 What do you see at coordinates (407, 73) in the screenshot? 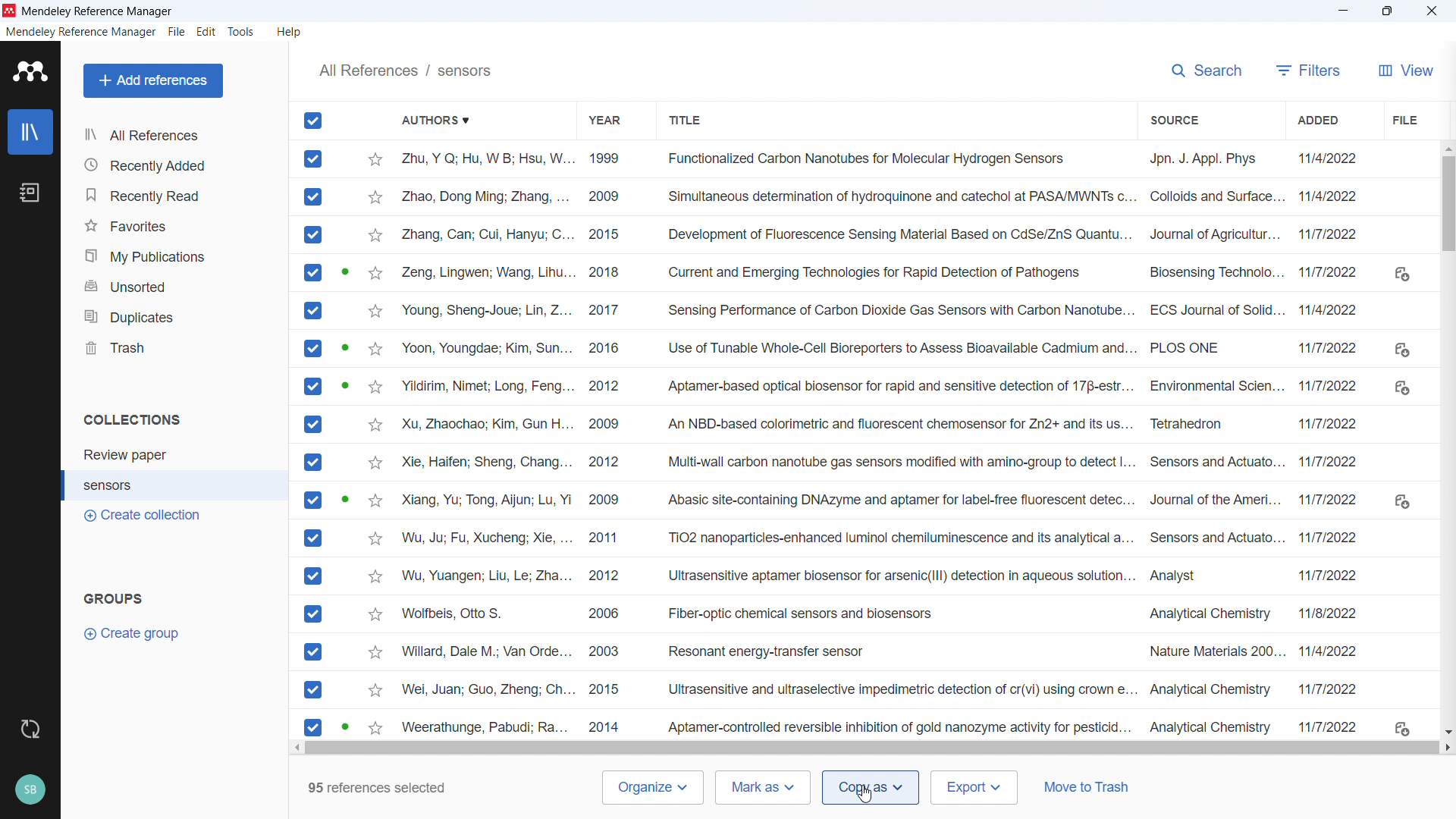
I see `All references/sensors` at bounding box center [407, 73].